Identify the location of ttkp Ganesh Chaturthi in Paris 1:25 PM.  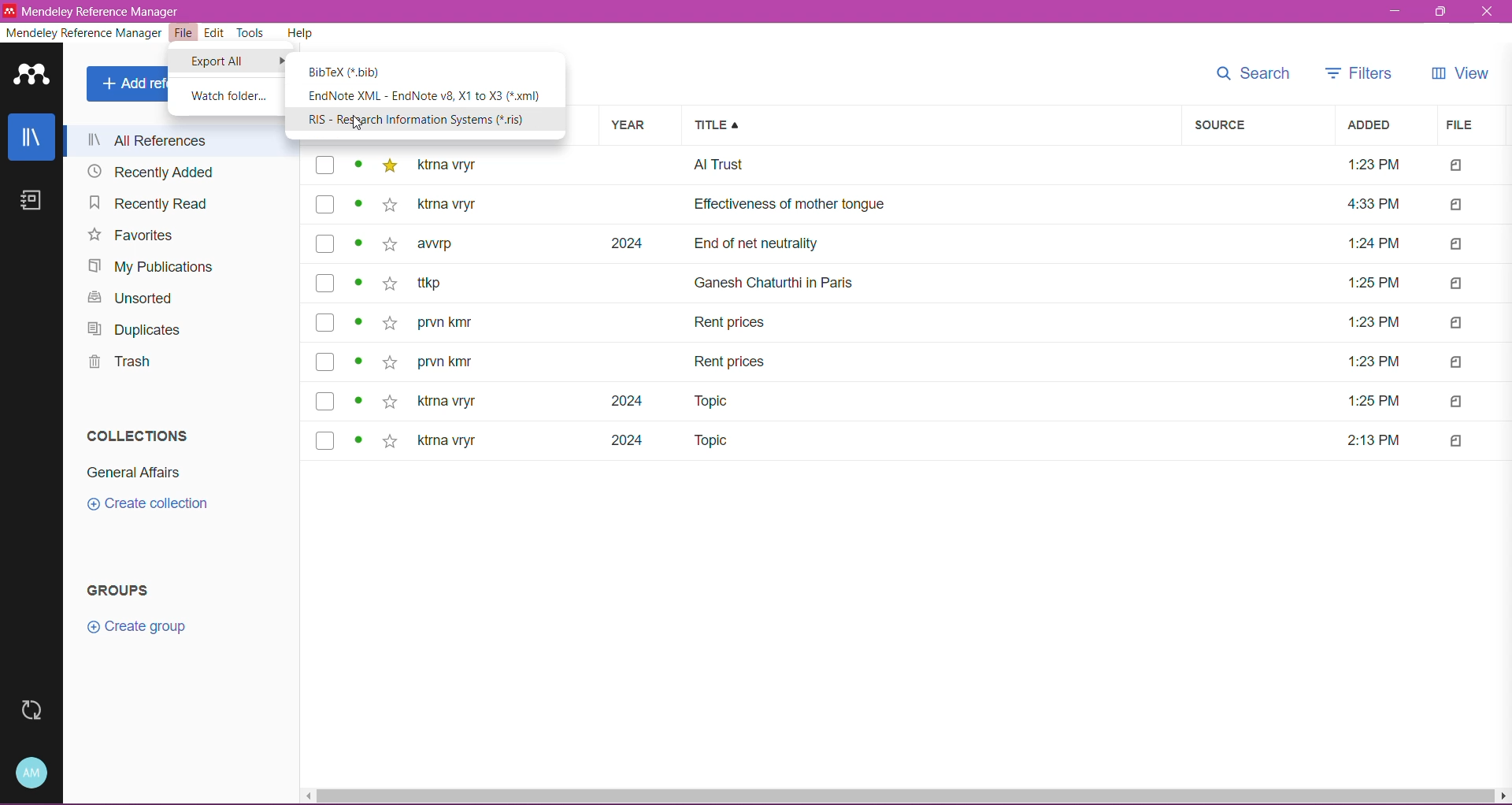
(913, 284).